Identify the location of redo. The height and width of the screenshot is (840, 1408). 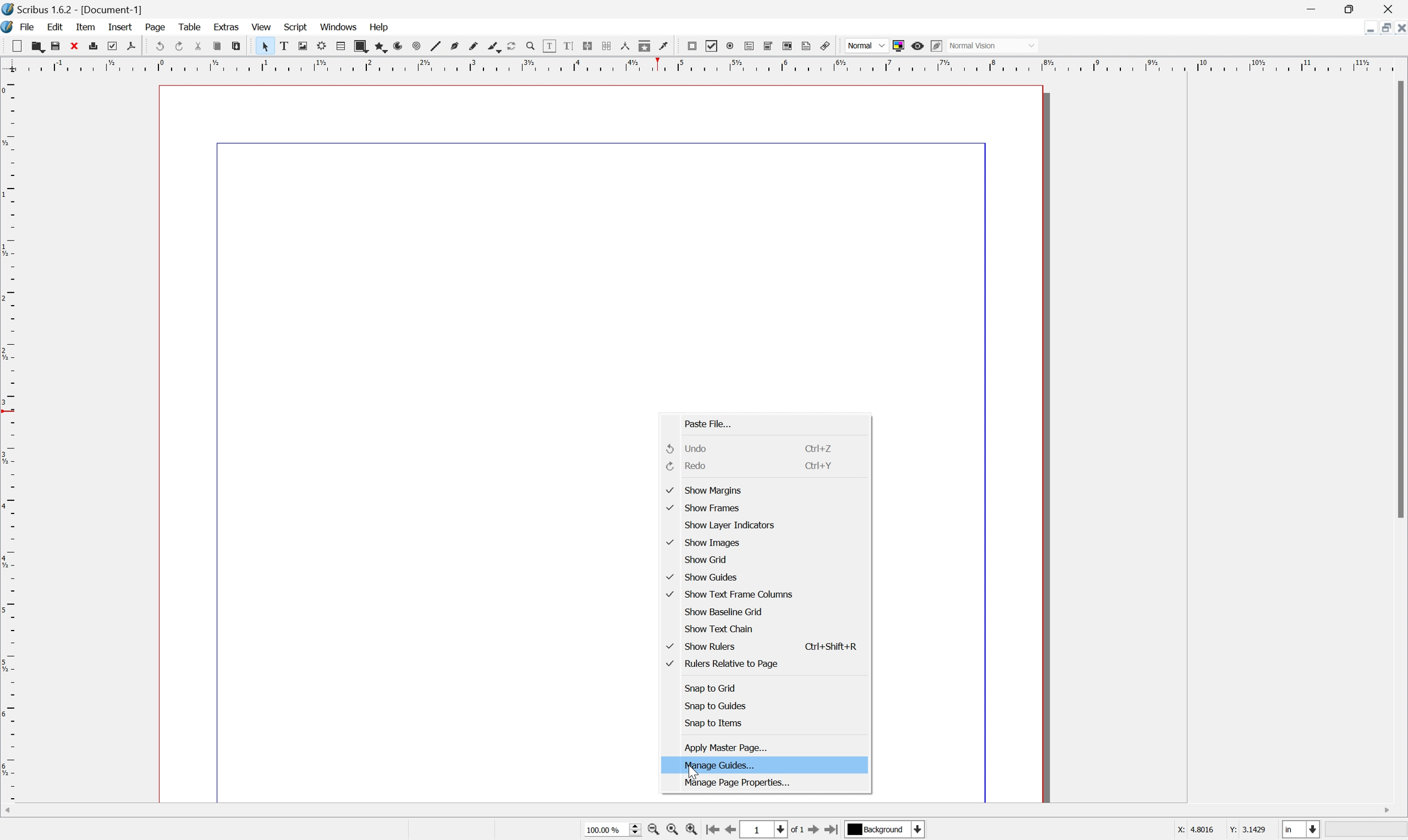
(689, 464).